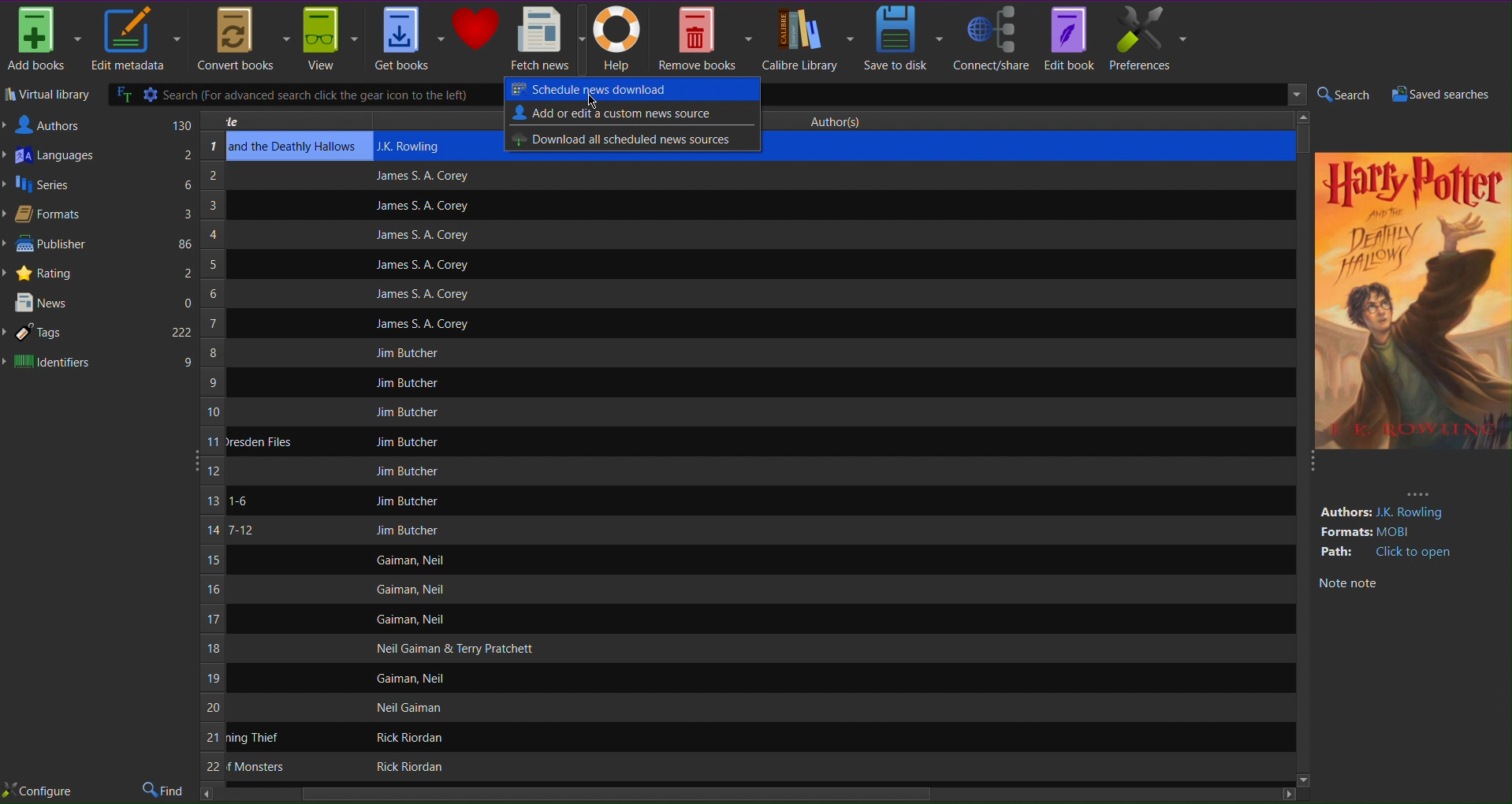 The image size is (1512, 804). I want to click on ning thief, so click(255, 738).